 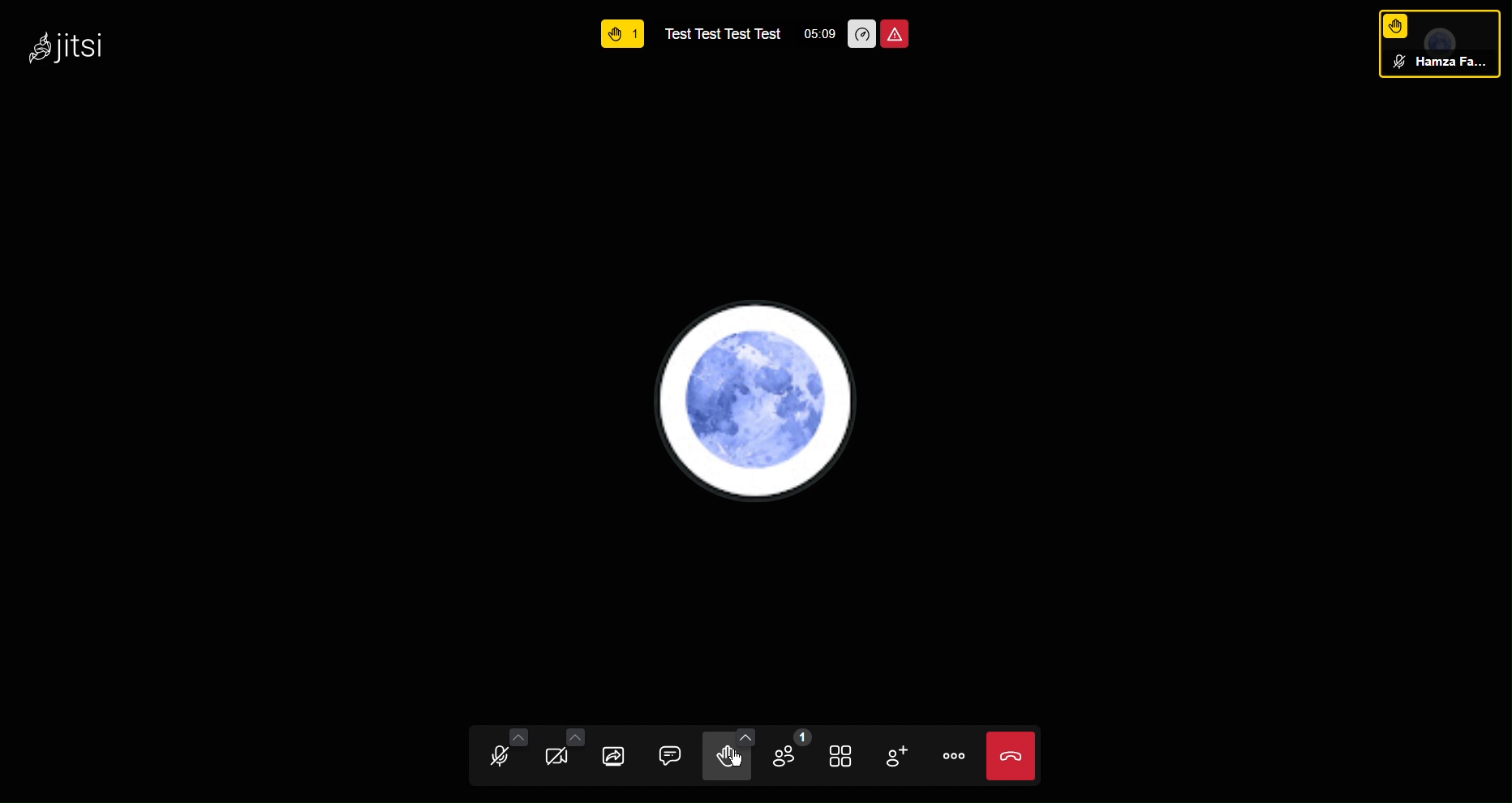 What do you see at coordinates (903, 754) in the screenshot?
I see `Add Member` at bounding box center [903, 754].